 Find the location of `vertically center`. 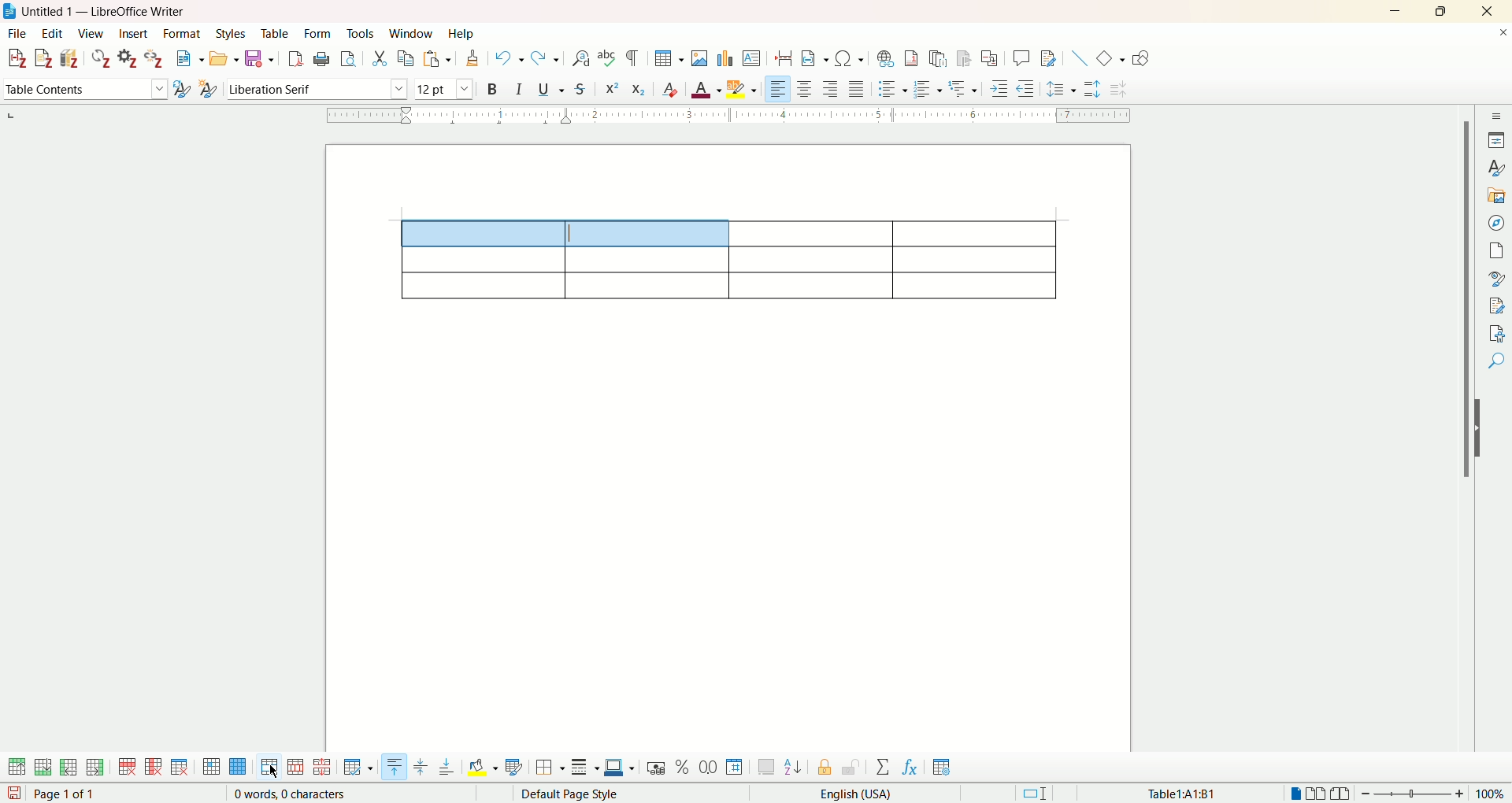

vertically center is located at coordinates (424, 767).